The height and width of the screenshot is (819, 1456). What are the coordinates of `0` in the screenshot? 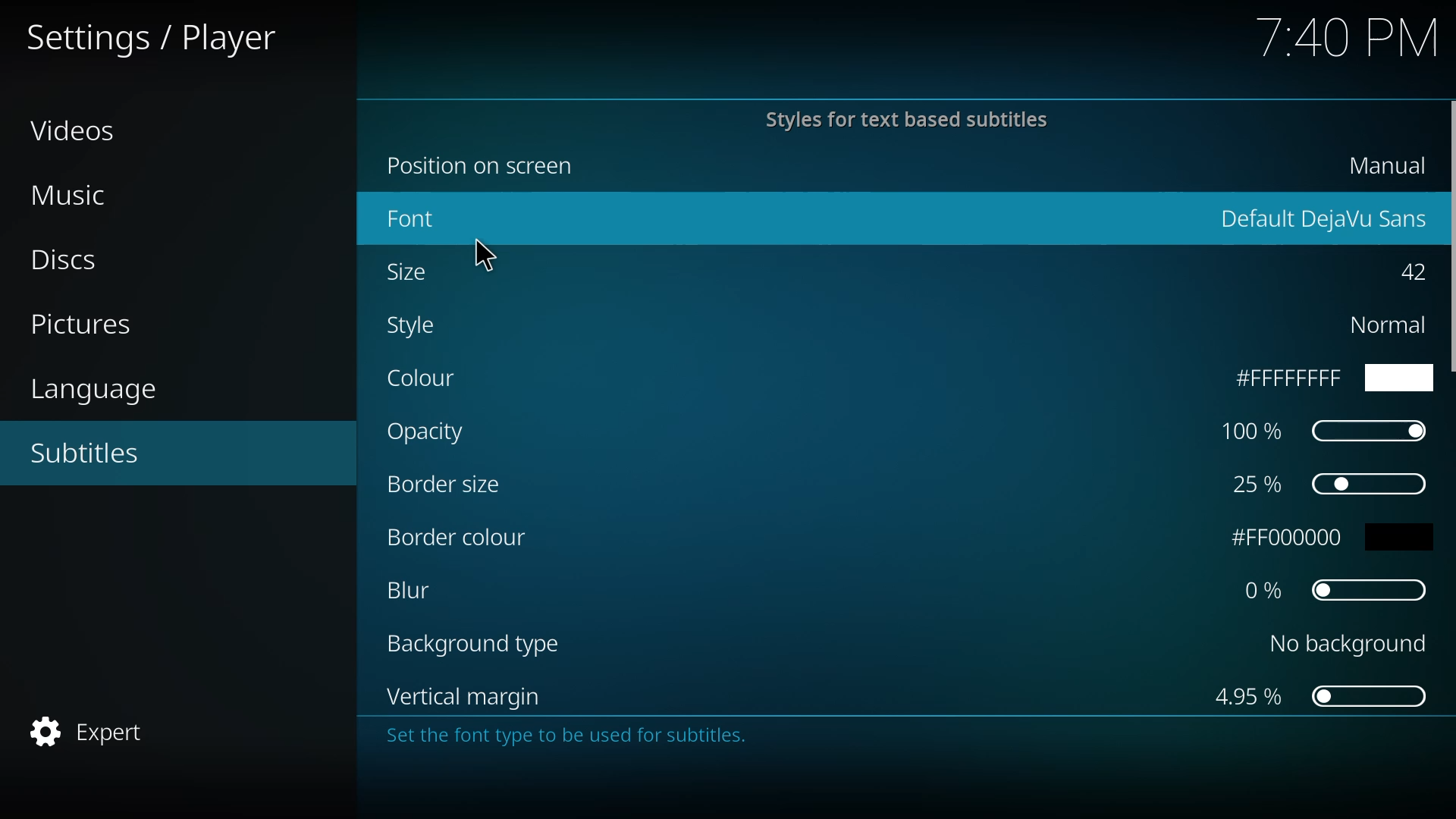 It's located at (1335, 588).